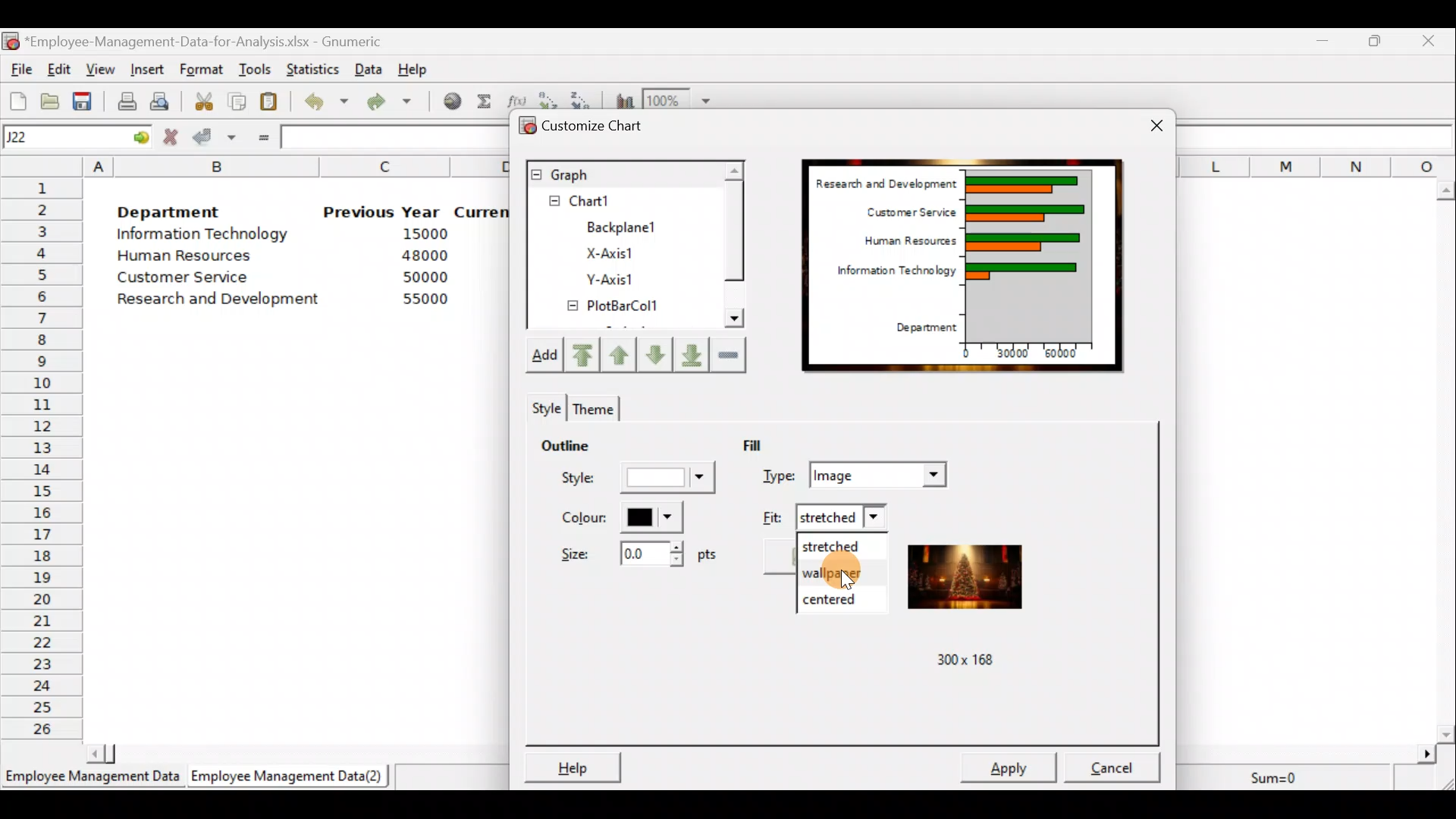  Describe the element at coordinates (49, 99) in the screenshot. I see `Open a file` at that location.